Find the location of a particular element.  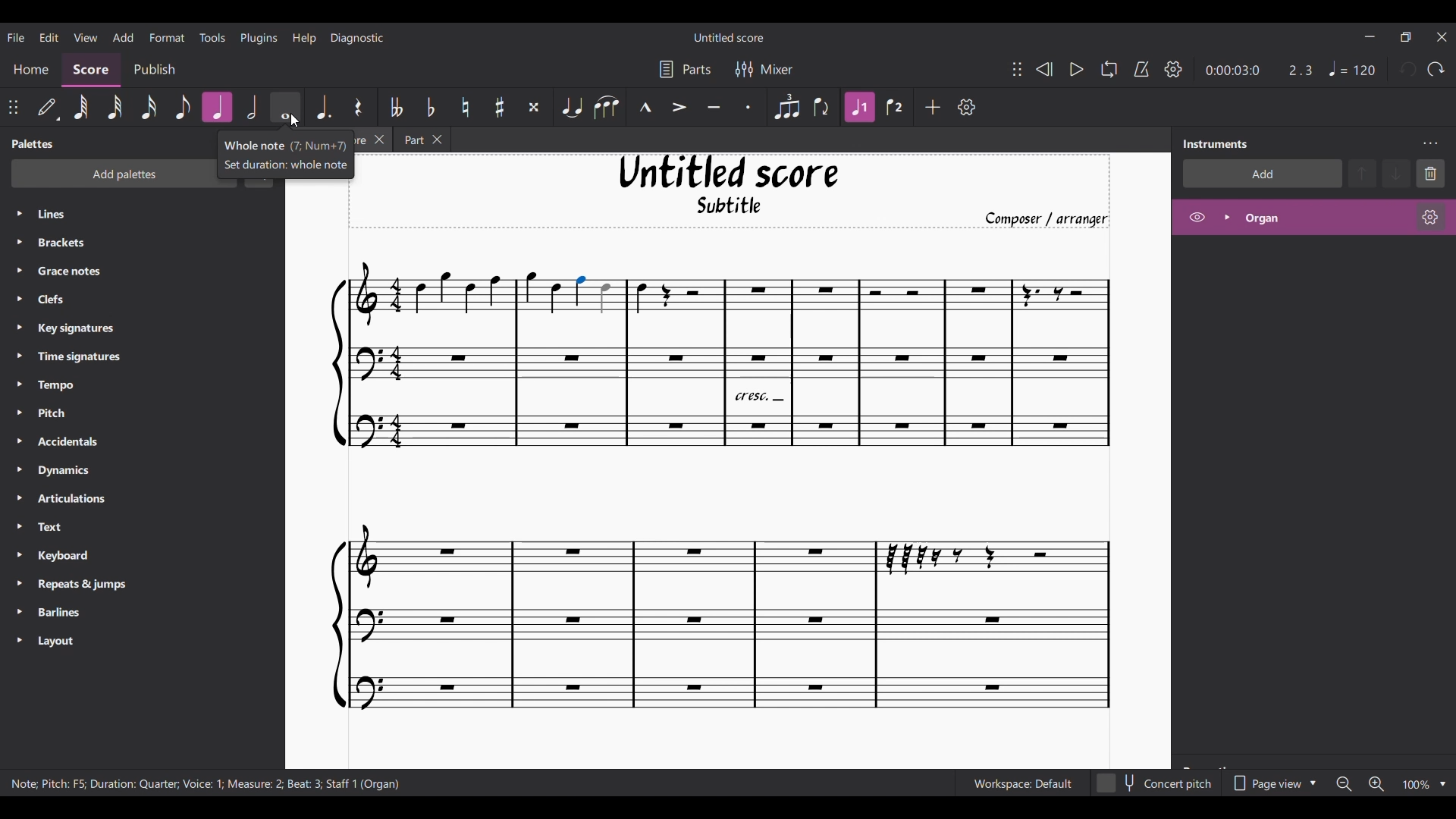

Score title is located at coordinates (729, 37).